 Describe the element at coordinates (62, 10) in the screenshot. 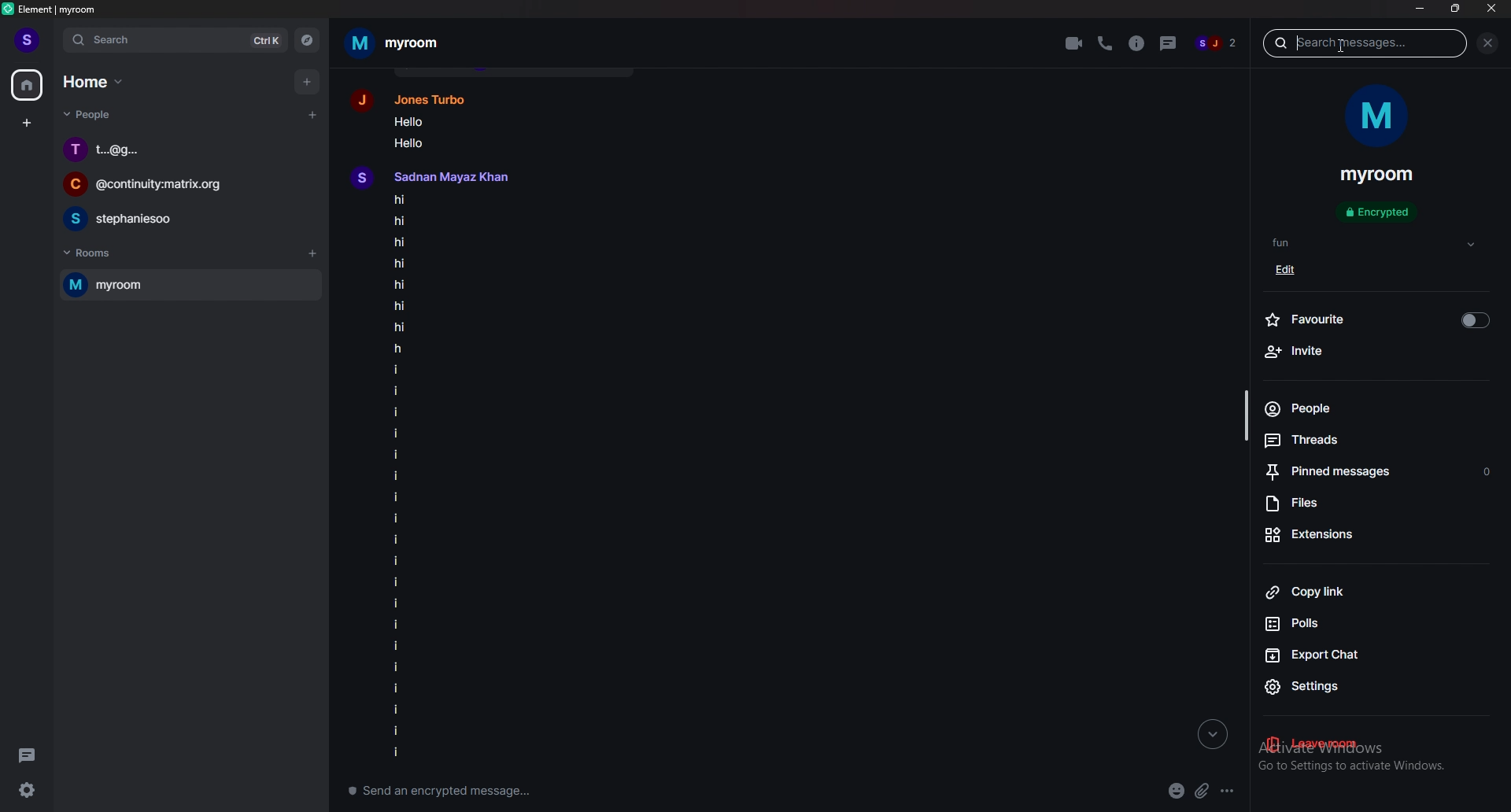

I see `element` at that location.